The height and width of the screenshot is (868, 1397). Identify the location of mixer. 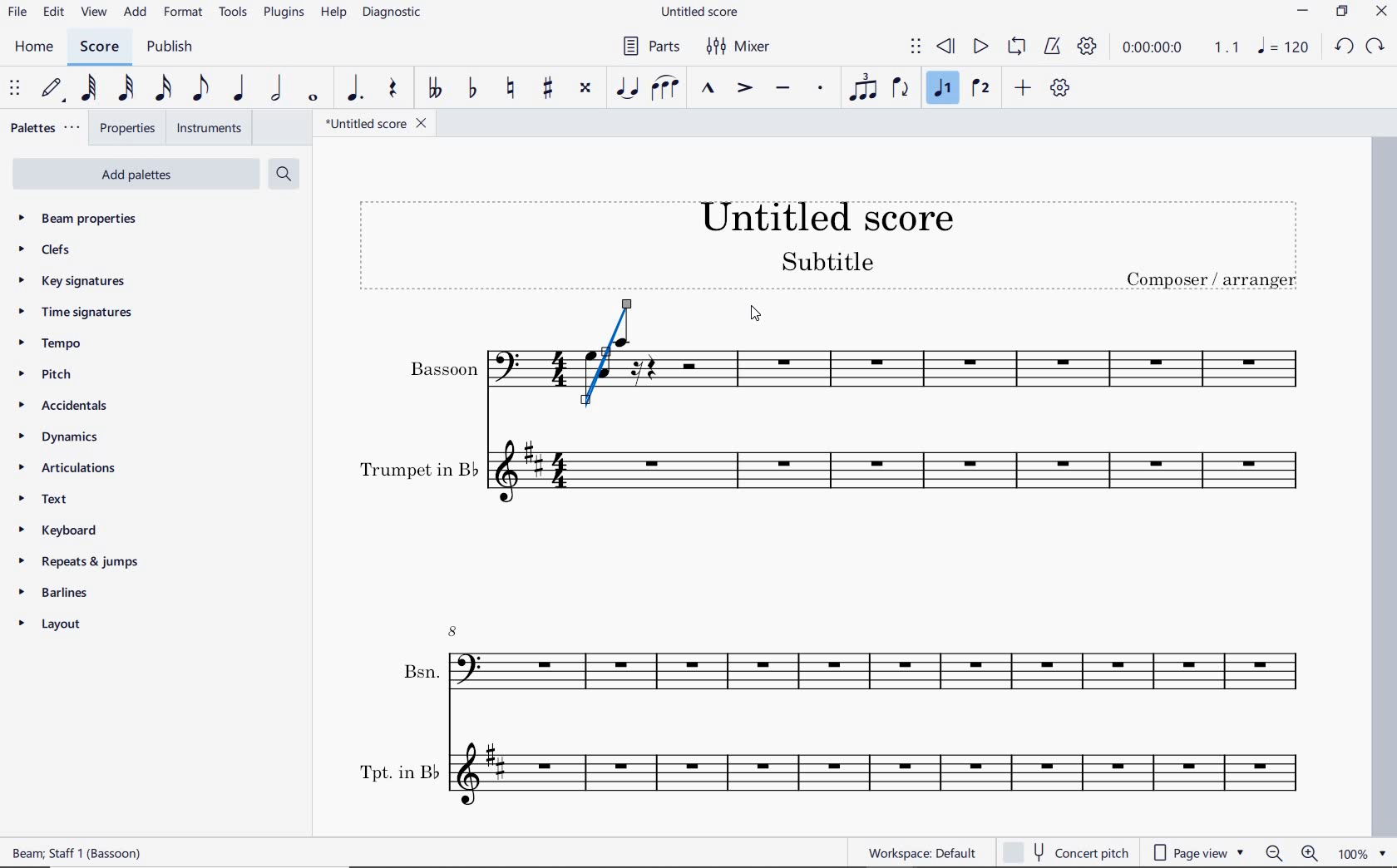
(739, 47).